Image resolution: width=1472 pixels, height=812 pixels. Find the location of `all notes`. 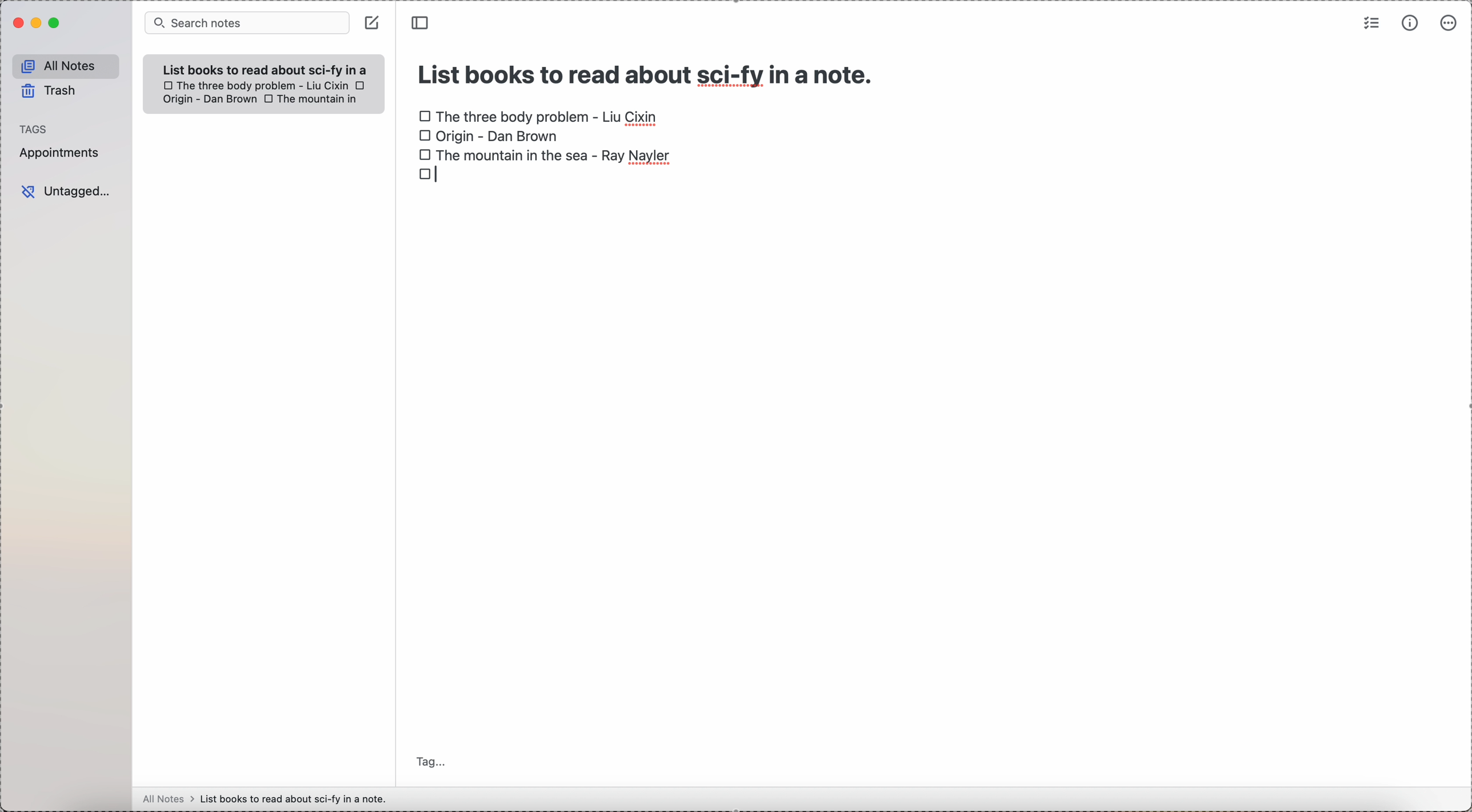

all notes is located at coordinates (63, 64).